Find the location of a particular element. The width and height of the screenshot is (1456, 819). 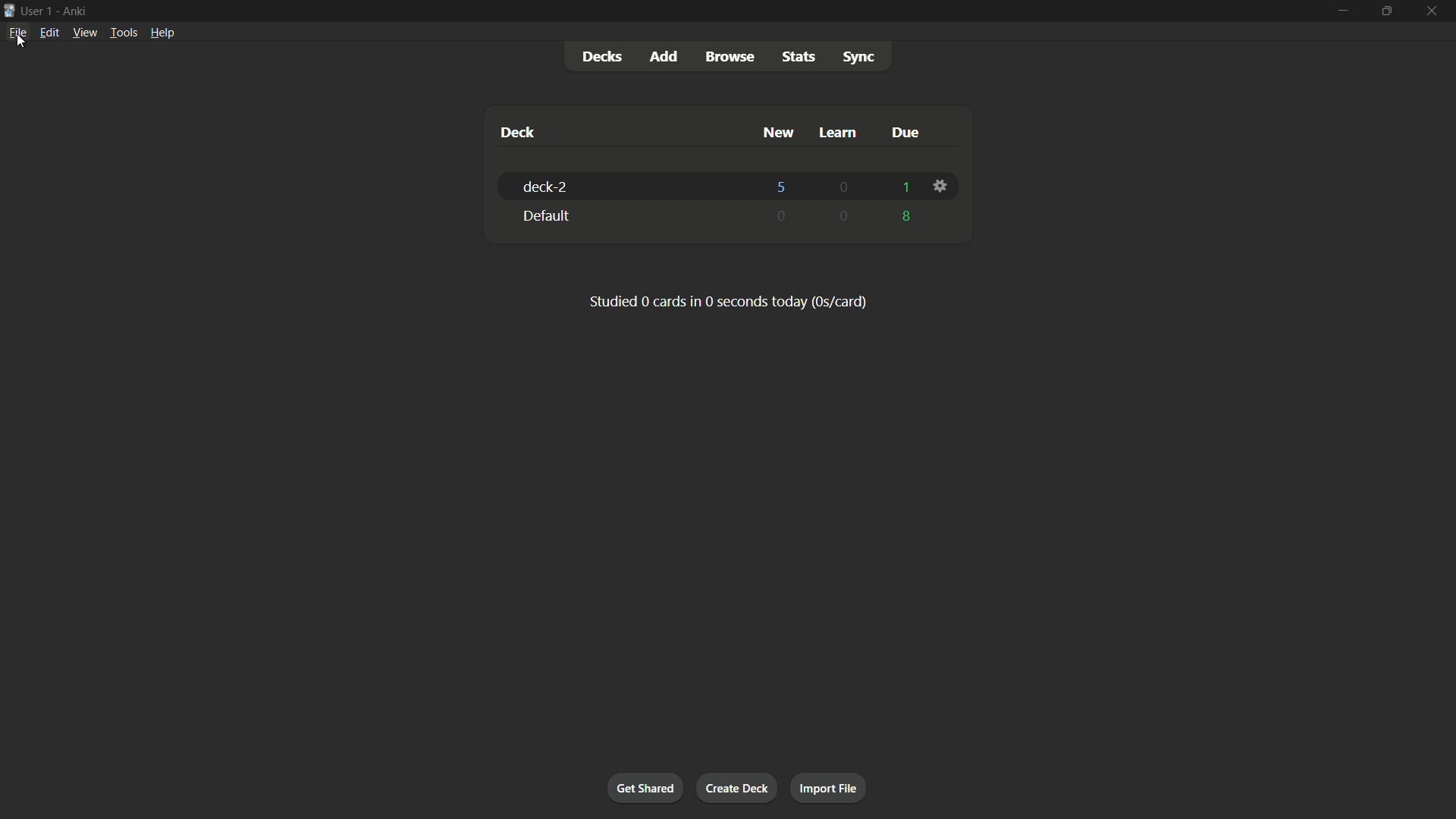

New is located at coordinates (777, 133).